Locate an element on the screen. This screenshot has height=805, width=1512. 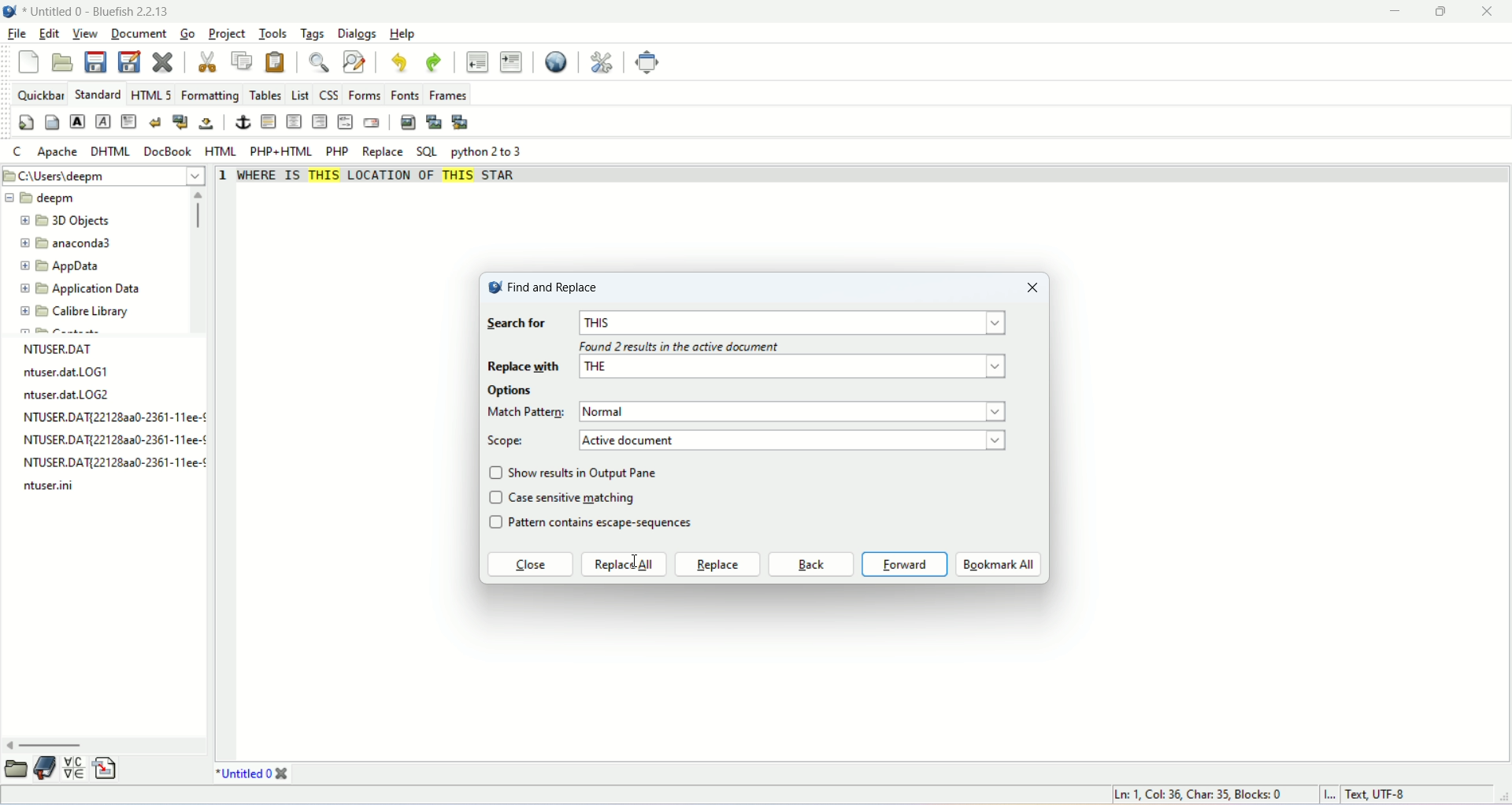
quickbar is located at coordinates (39, 95).